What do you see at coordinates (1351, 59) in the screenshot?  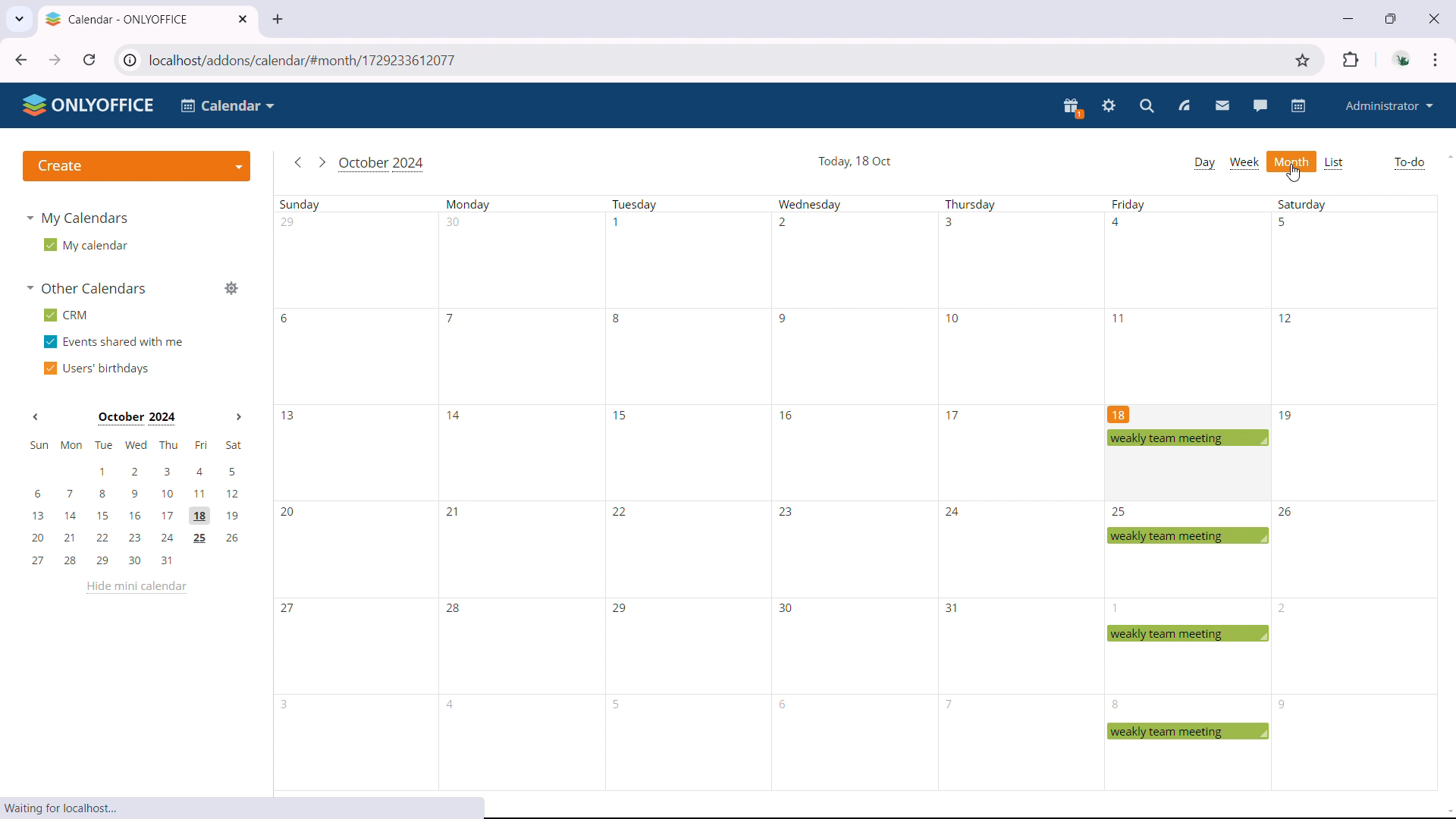 I see `extensions` at bounding box center [1351, 59].